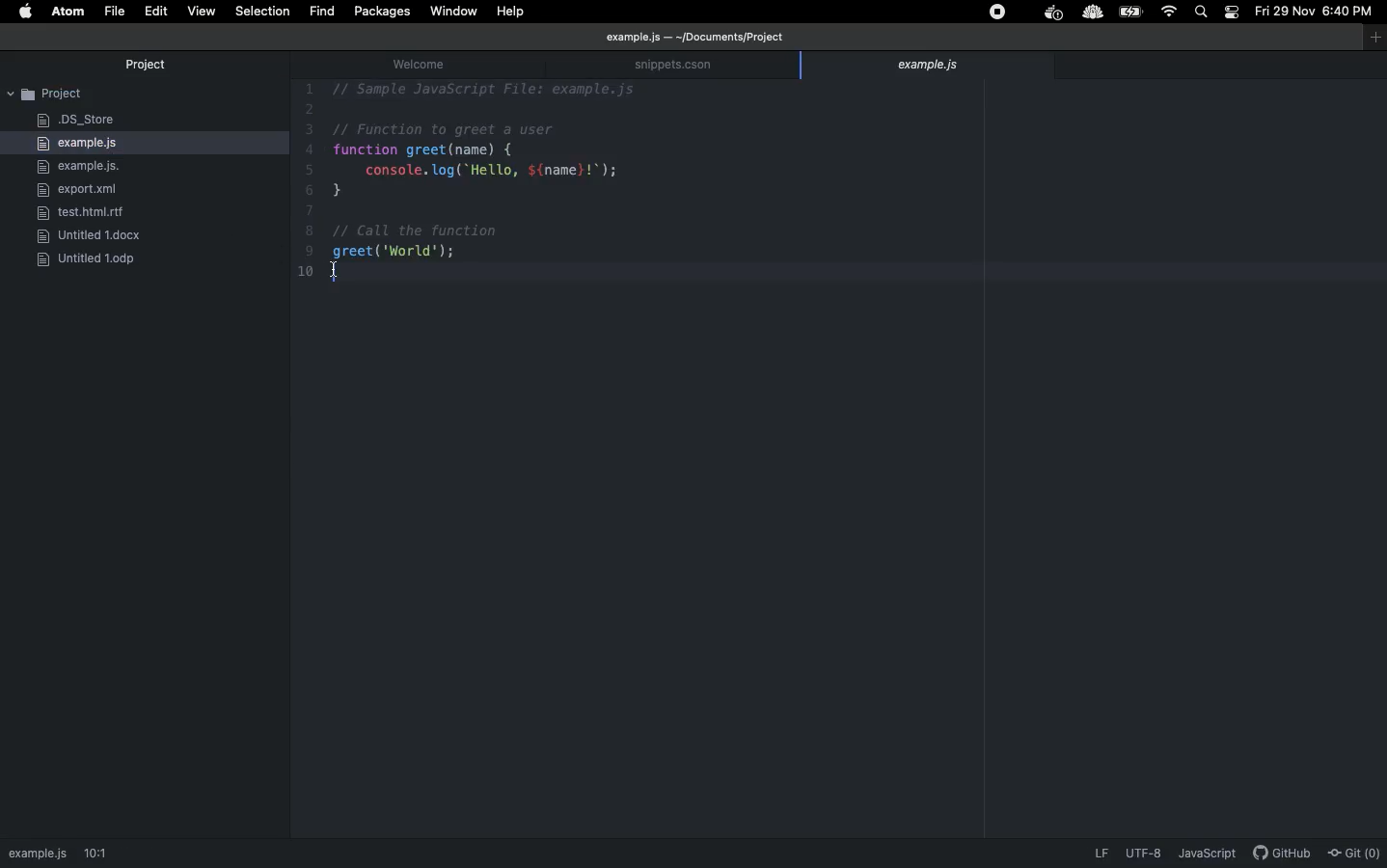 This screenshot has height=868, width=1387. I want to click on File, so click(115, 12).